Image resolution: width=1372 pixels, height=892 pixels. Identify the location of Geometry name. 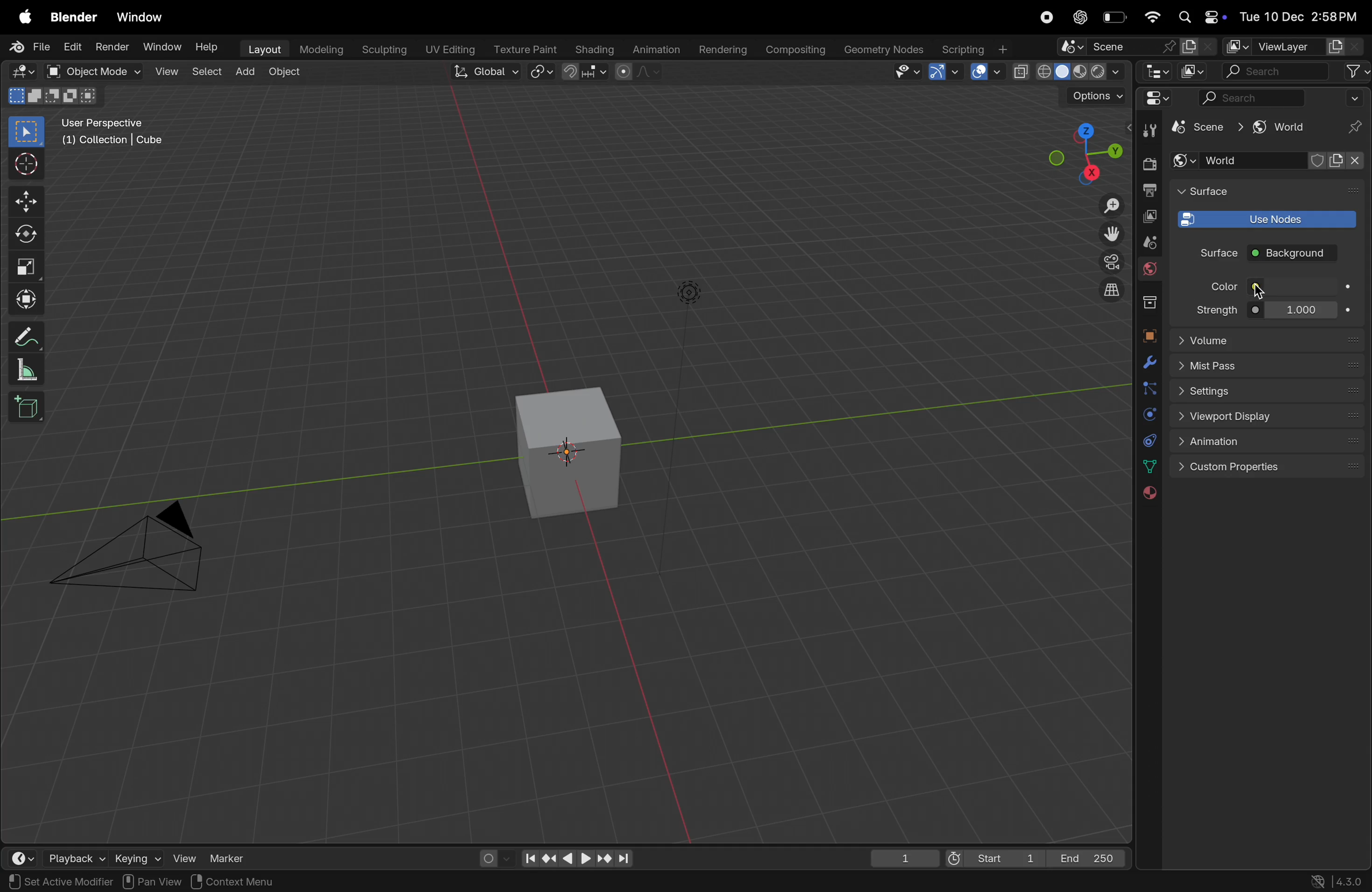
(884, 50).